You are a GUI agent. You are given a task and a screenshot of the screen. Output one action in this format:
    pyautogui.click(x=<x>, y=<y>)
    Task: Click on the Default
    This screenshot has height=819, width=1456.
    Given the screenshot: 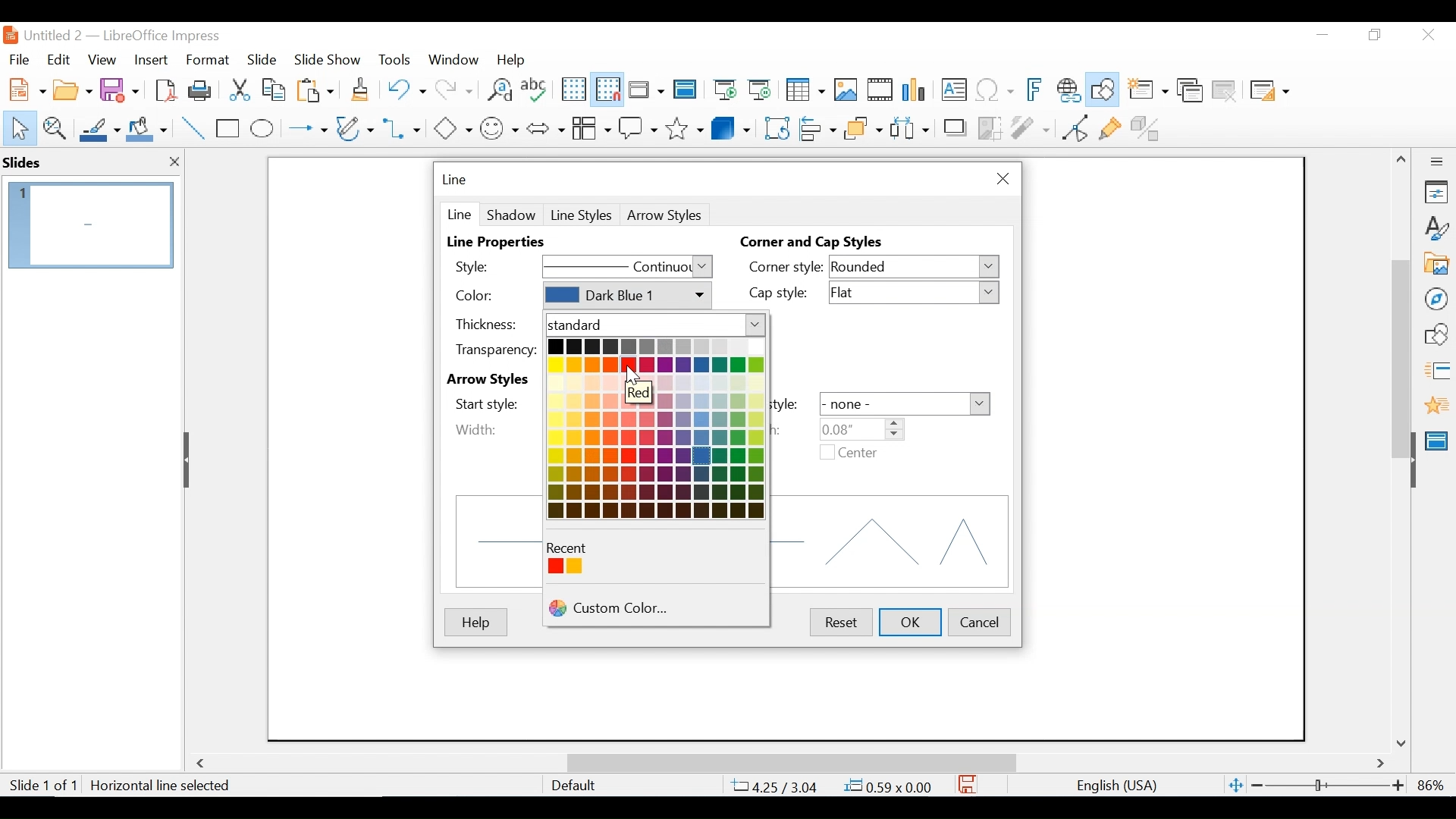 What is the action you would take?
    pyautogui.click(x=573, y=786)
    